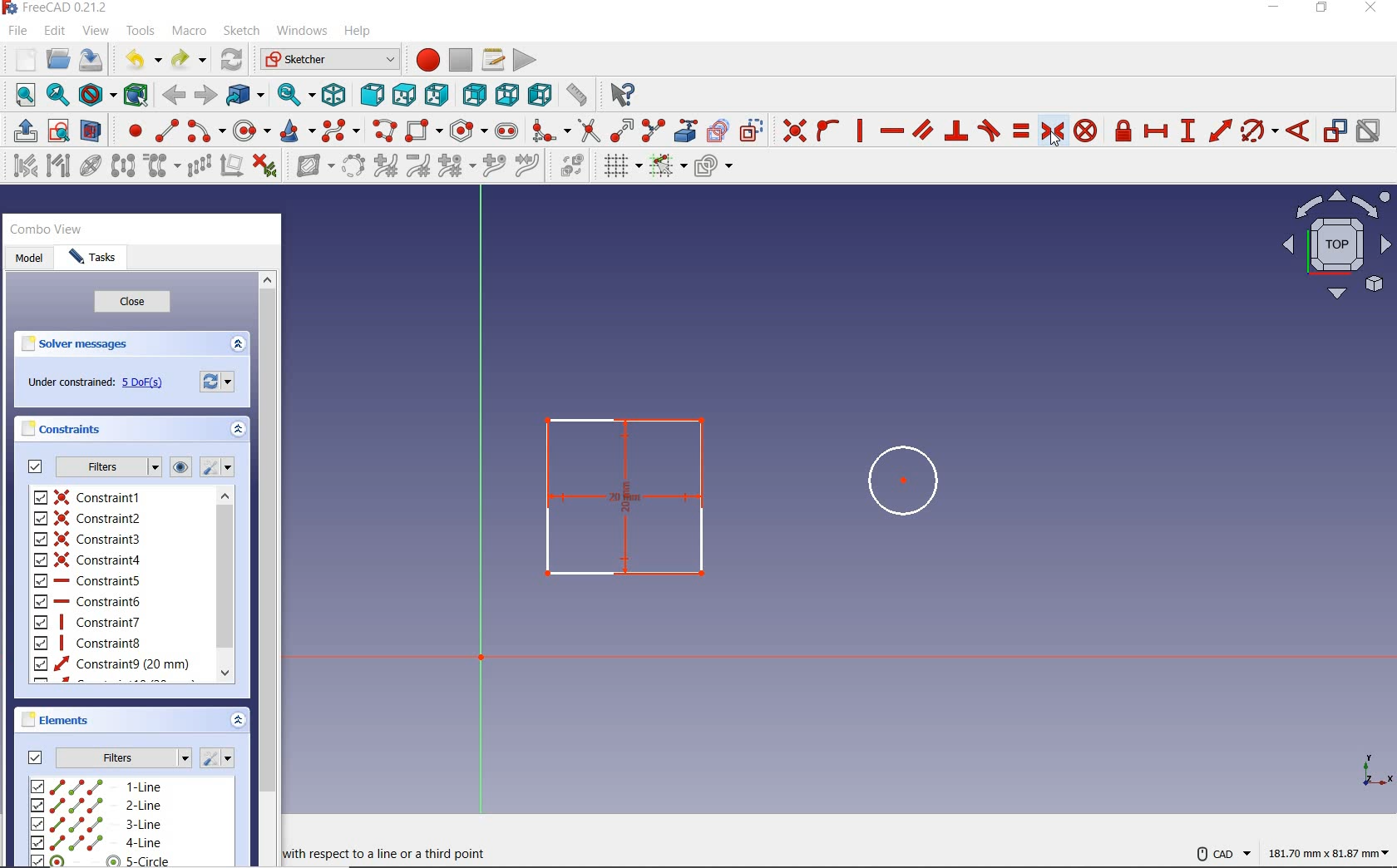  Describe the element at coordinates (1087, 132) in the screenshot. I see `constrain block` at that location.